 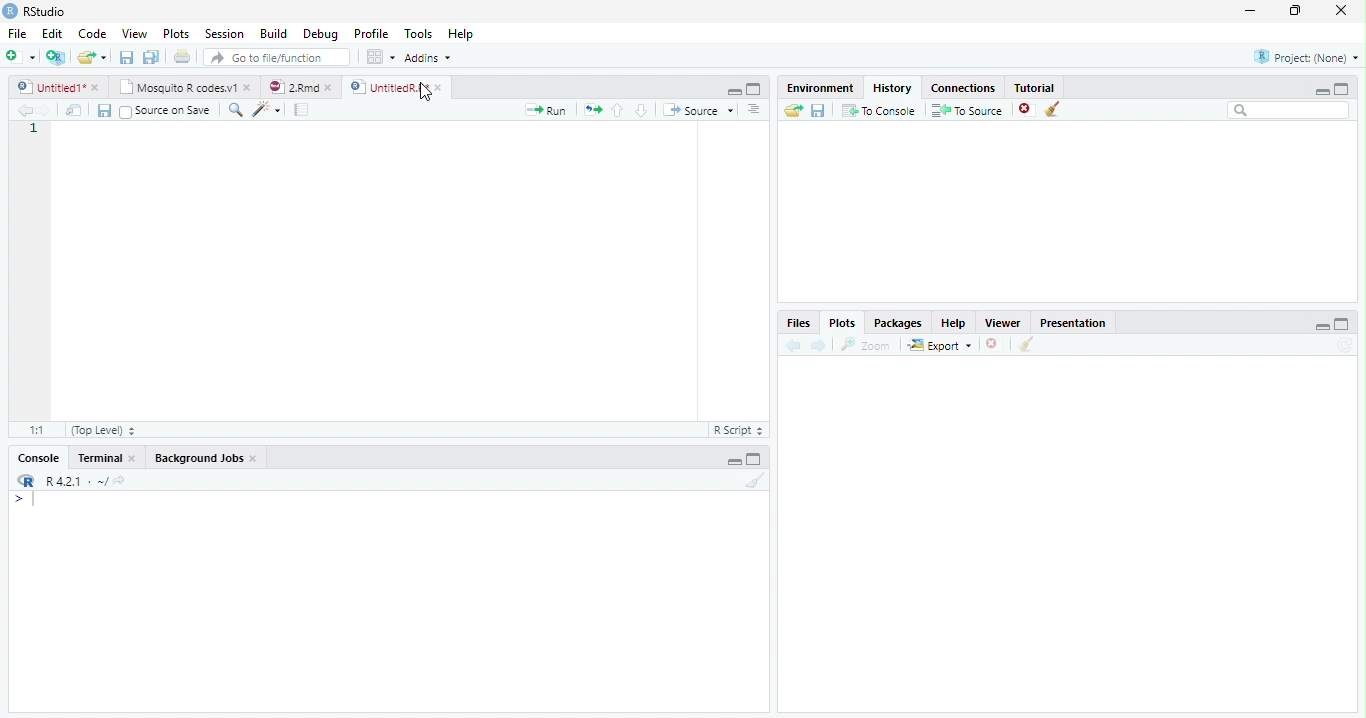 I want to click on Save all, so click(x=108, y=112).